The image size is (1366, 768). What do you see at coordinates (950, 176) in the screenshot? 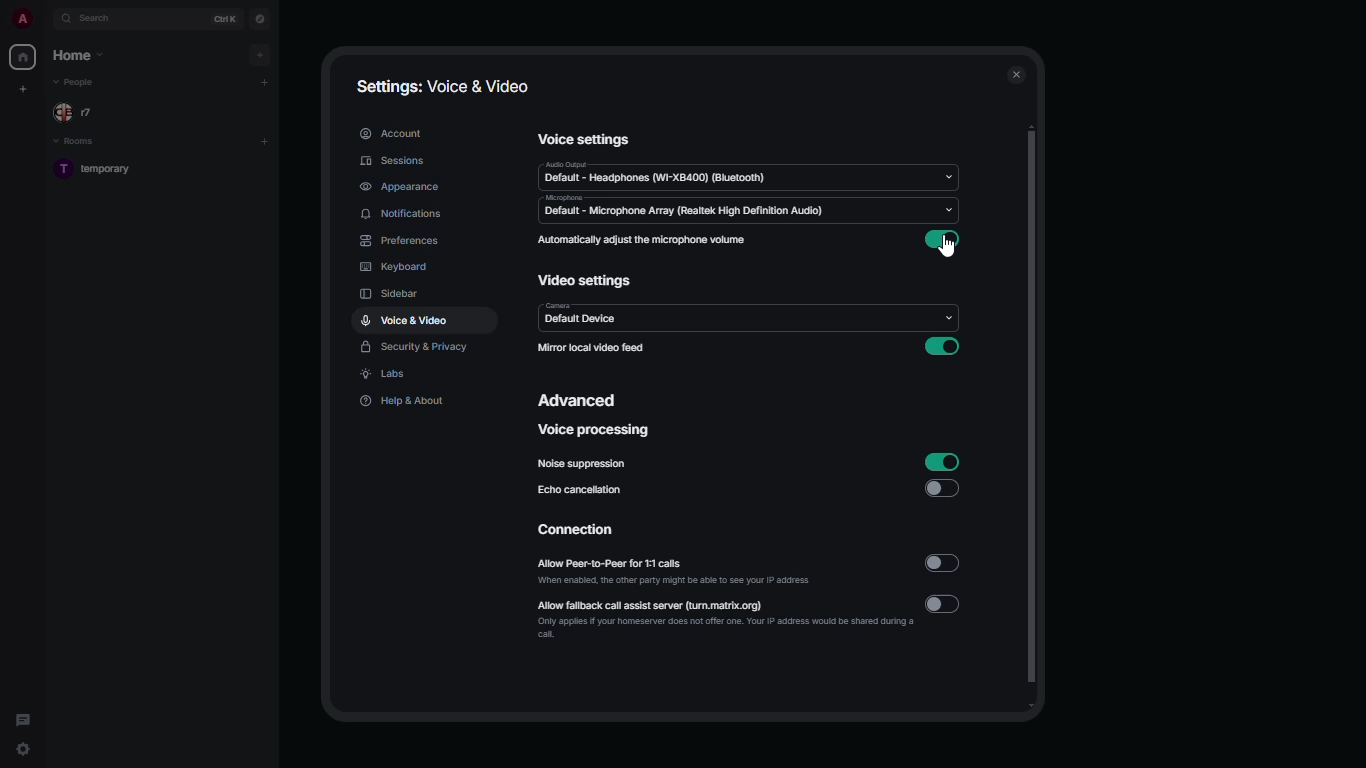
I see `drop down` at bounding box center [950, 176].